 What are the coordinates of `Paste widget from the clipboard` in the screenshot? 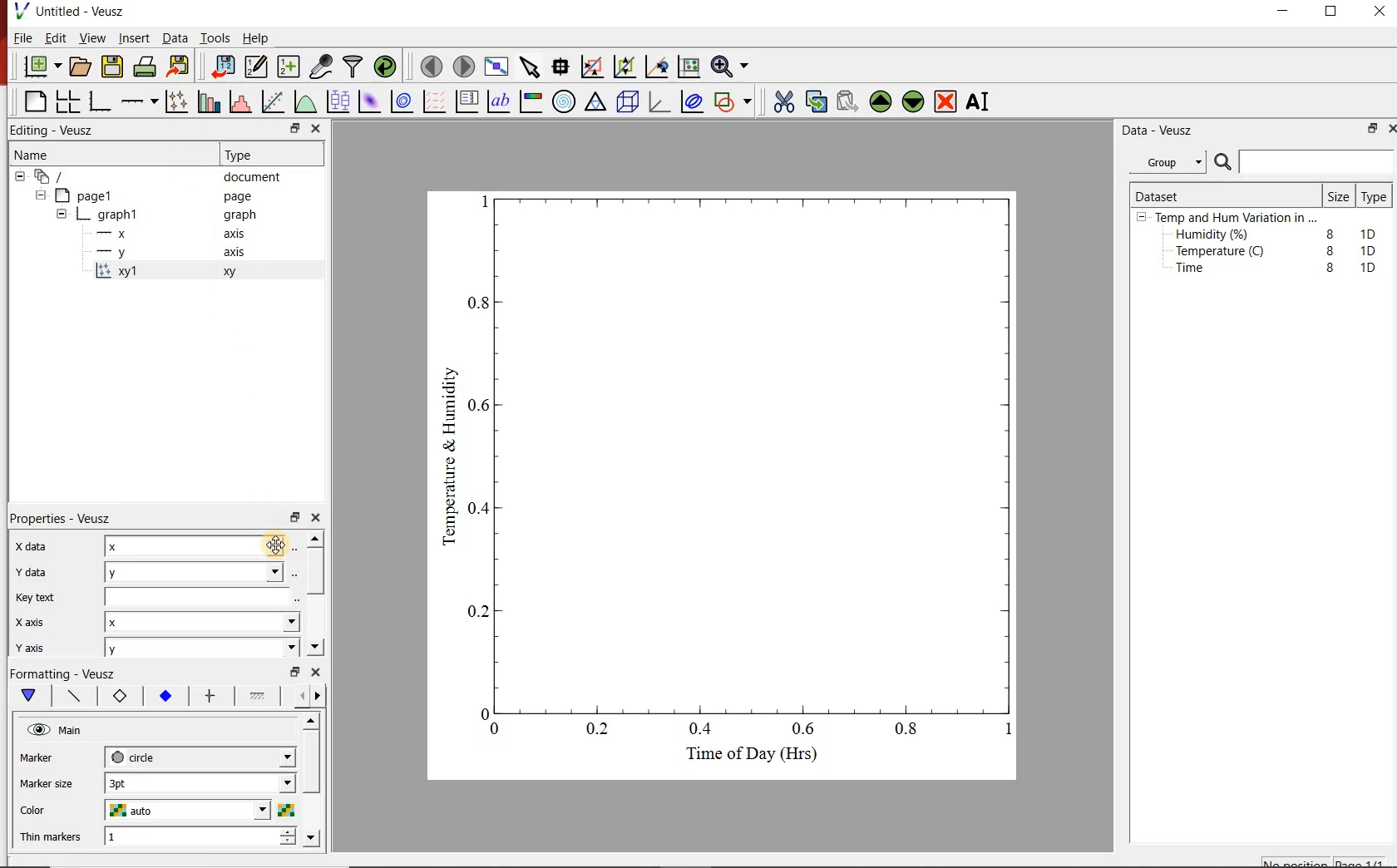 It's located at (848, 101).